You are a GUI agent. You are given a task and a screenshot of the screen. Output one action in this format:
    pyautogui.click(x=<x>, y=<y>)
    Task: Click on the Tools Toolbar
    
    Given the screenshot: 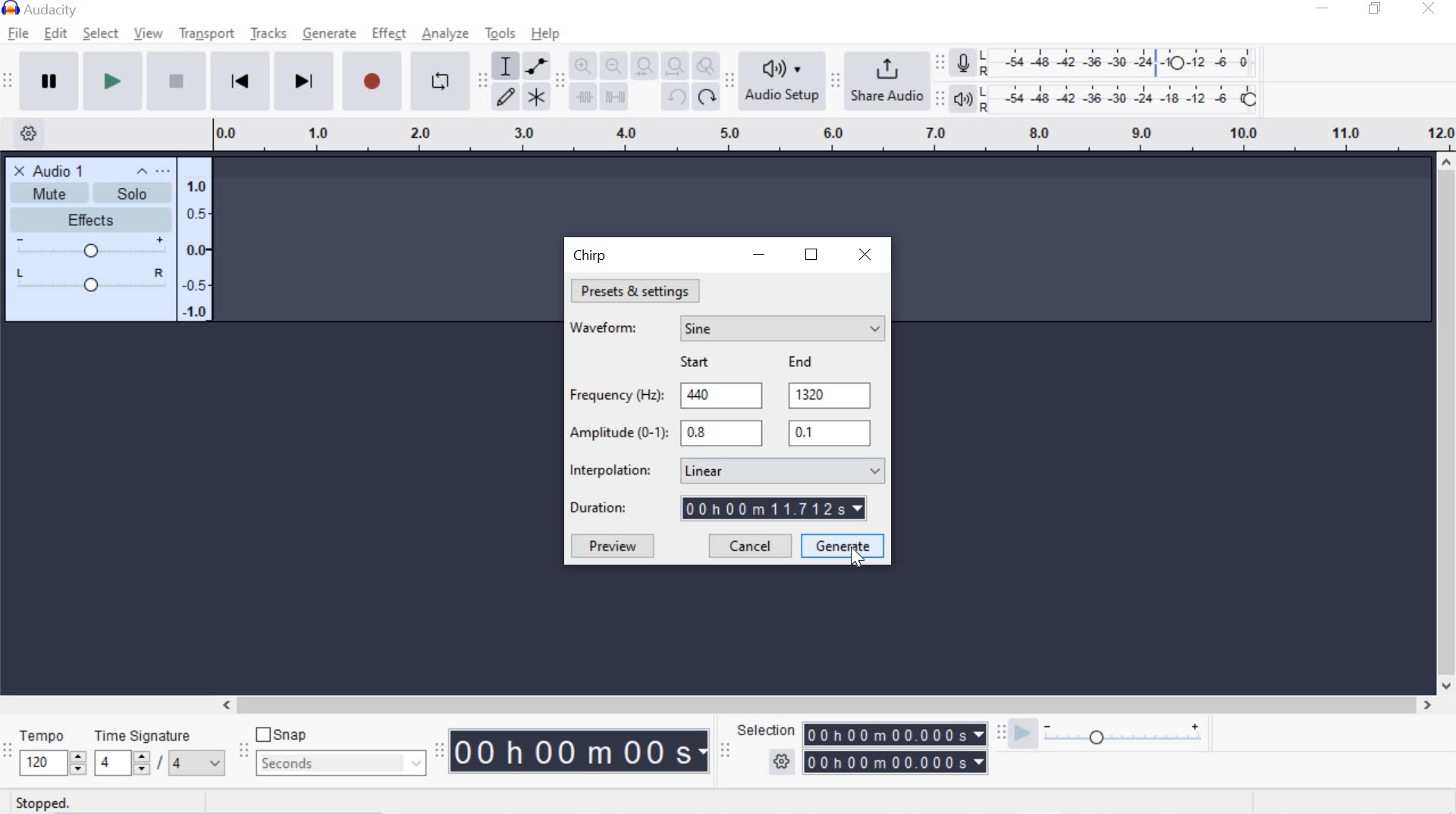 What is the action you would take?
    pyautogui.click(x=485, y=82)
    